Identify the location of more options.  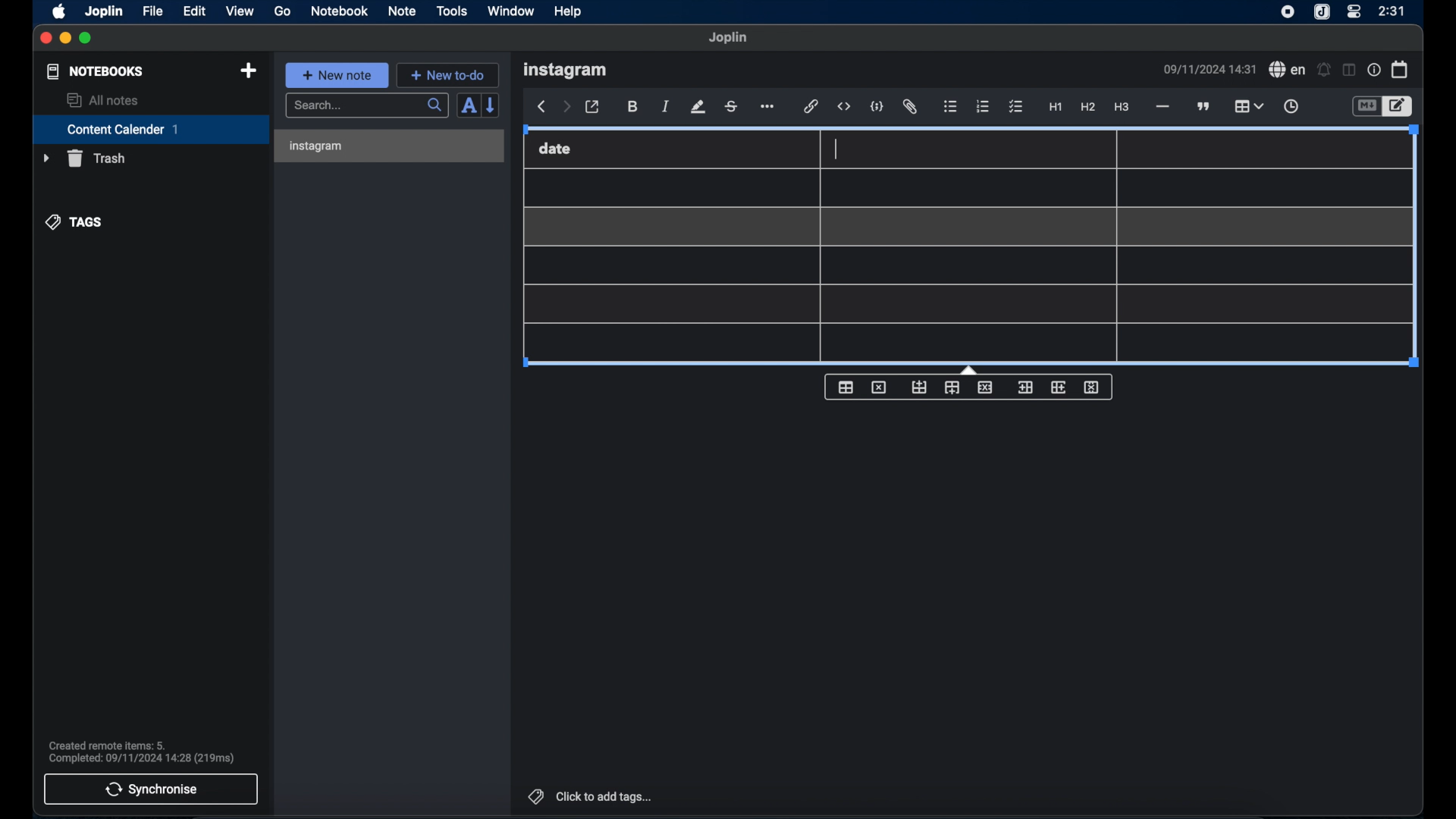
(766, 106).